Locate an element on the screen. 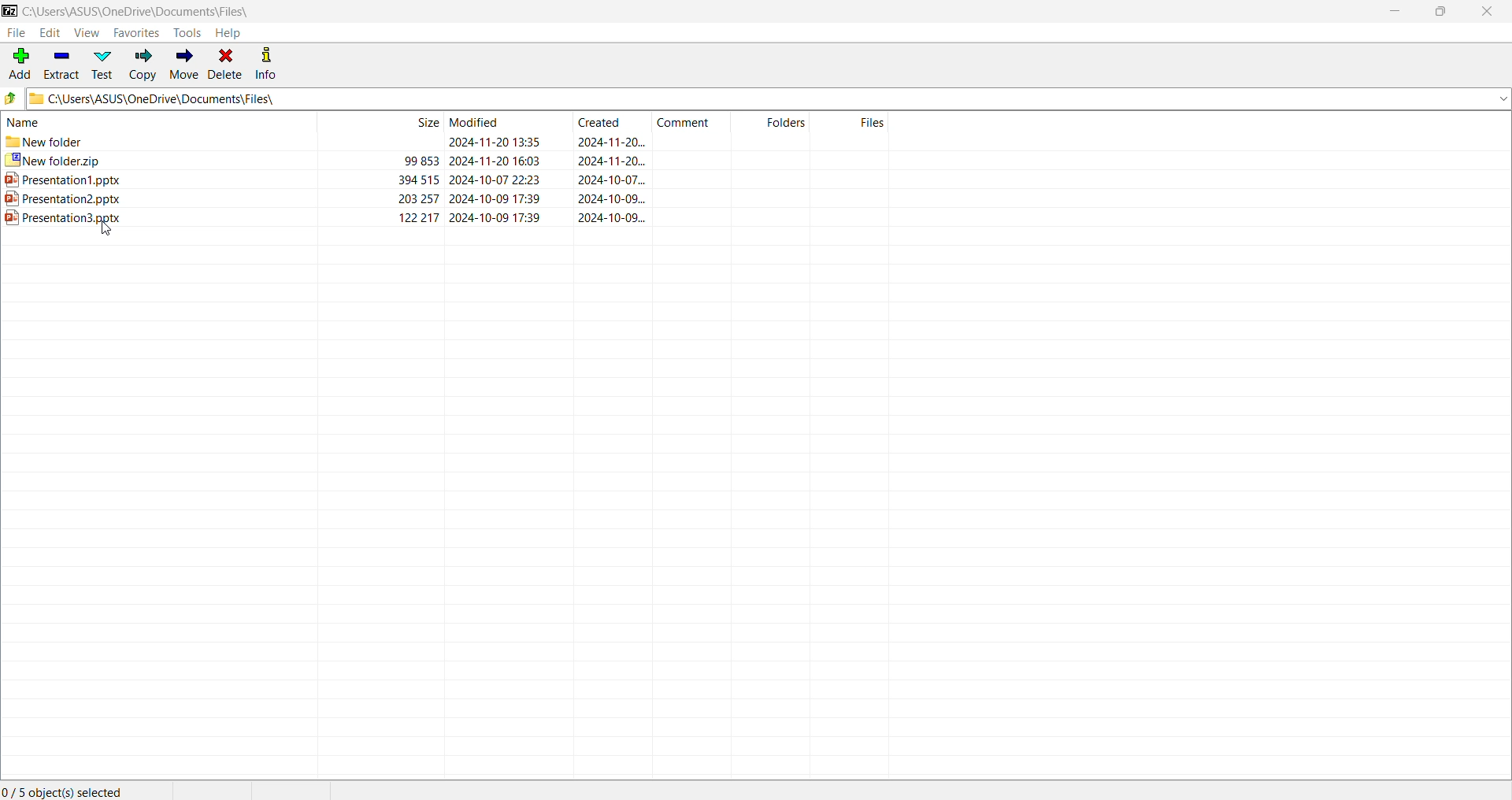 Image resolution: width=1512 pixels, height=800 pixels. Move is located at coordinates (184, 65).